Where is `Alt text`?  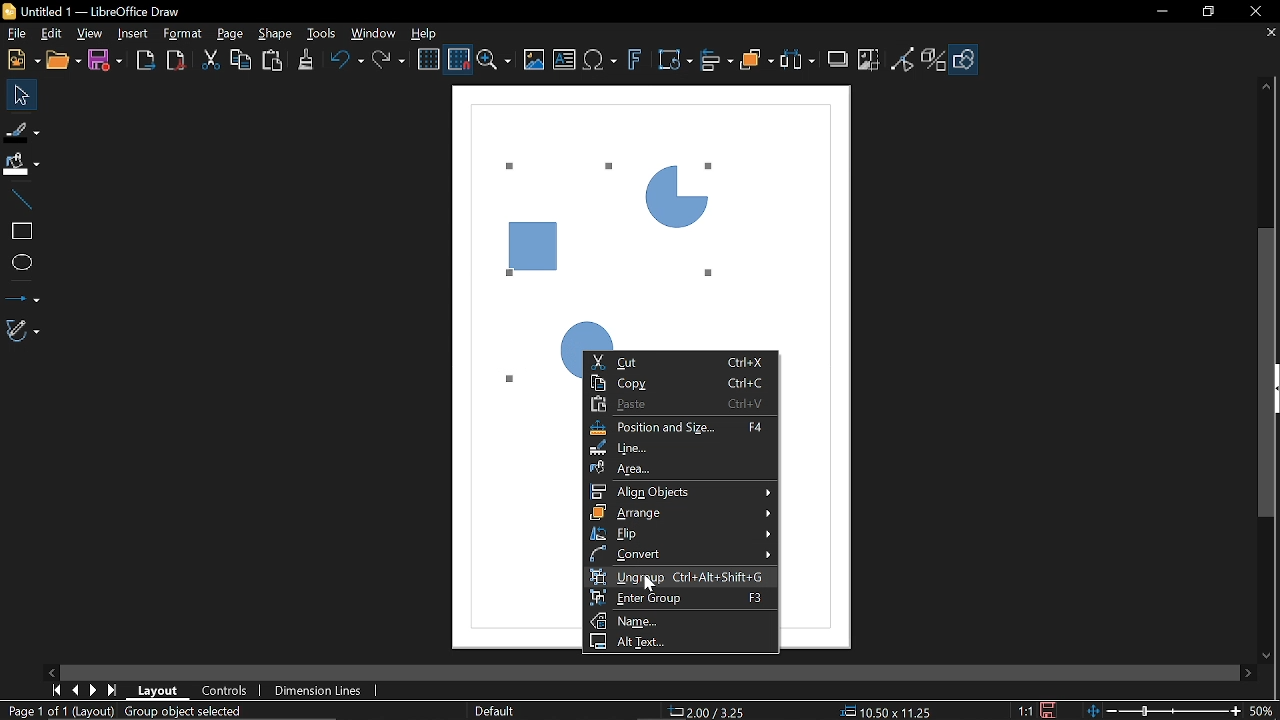
Alt text is located at coordinates (661, 641).